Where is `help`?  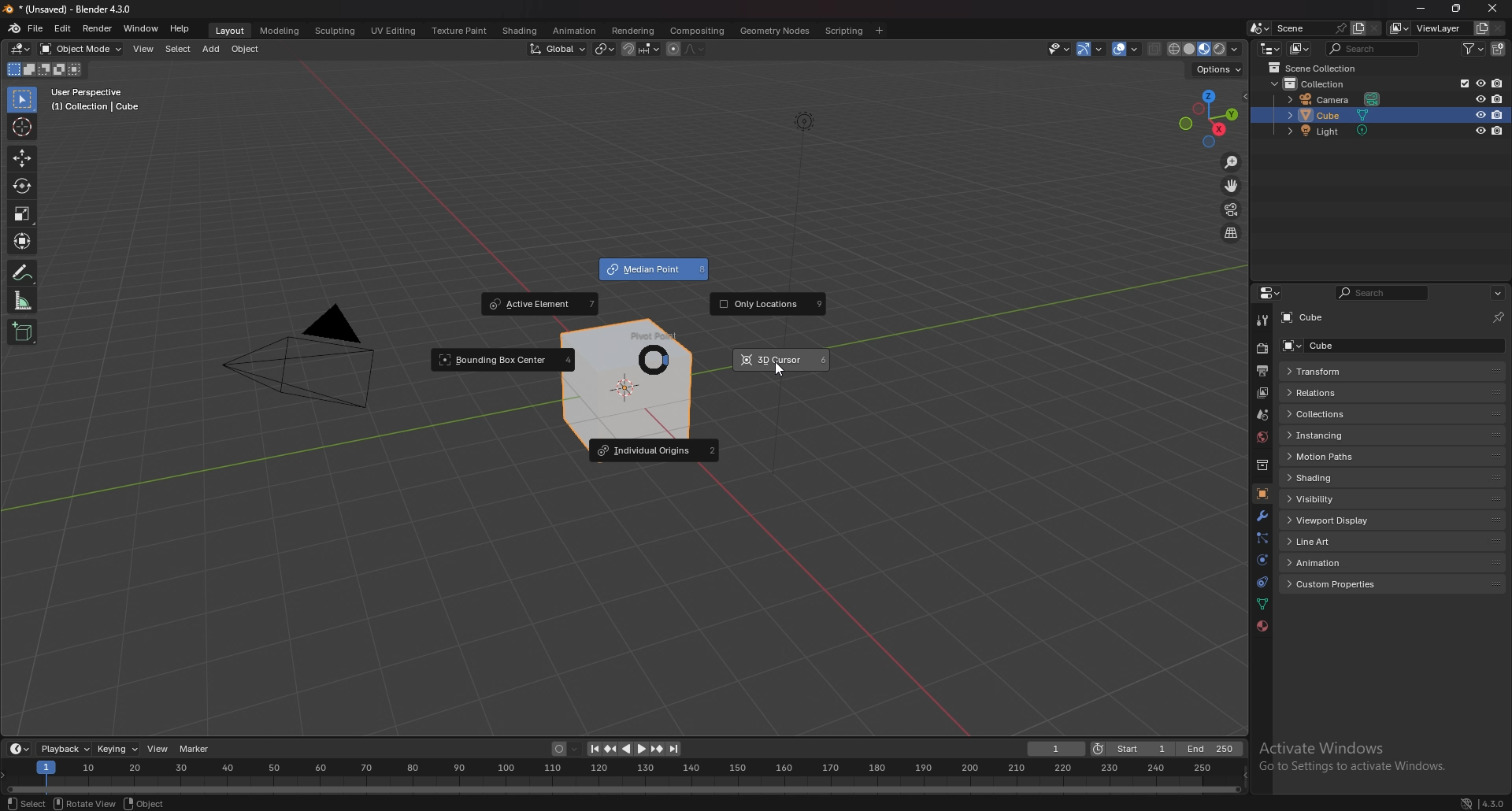 help is located at coordinates (180, 28).